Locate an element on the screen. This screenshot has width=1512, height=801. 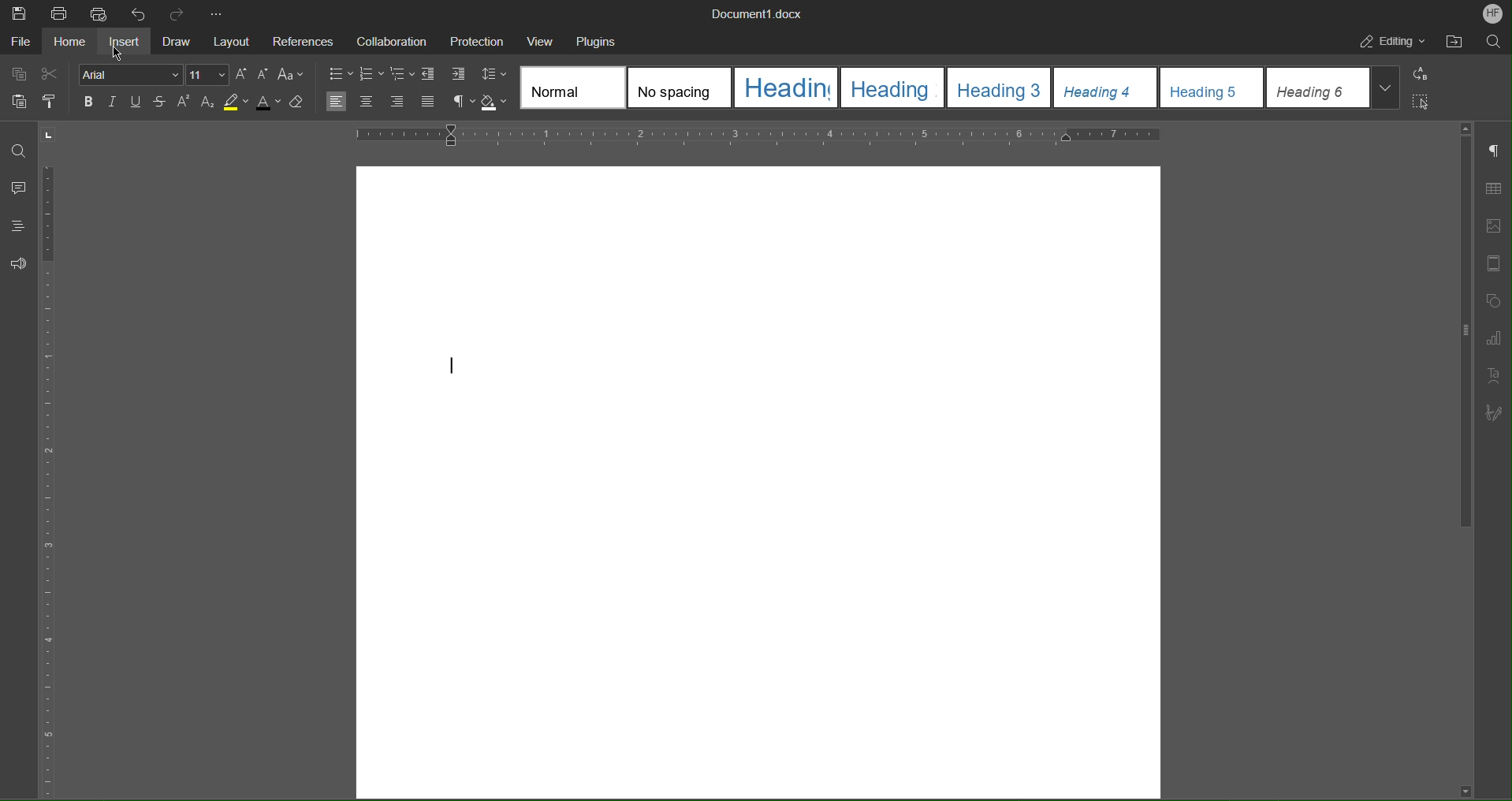
Signature is located at coordinates (1493, 413).